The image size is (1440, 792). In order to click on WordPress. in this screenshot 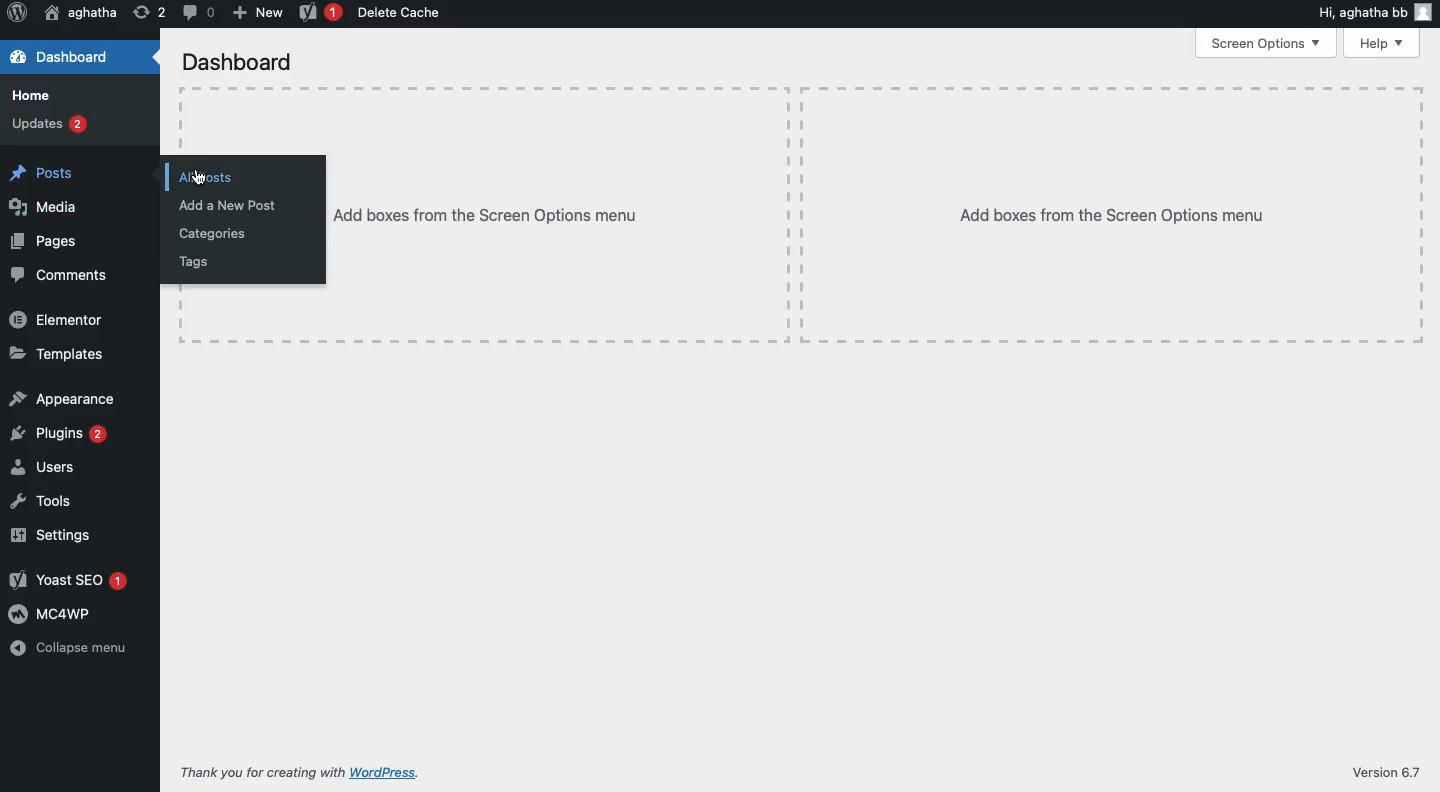, I will do `click(386, 771)`.